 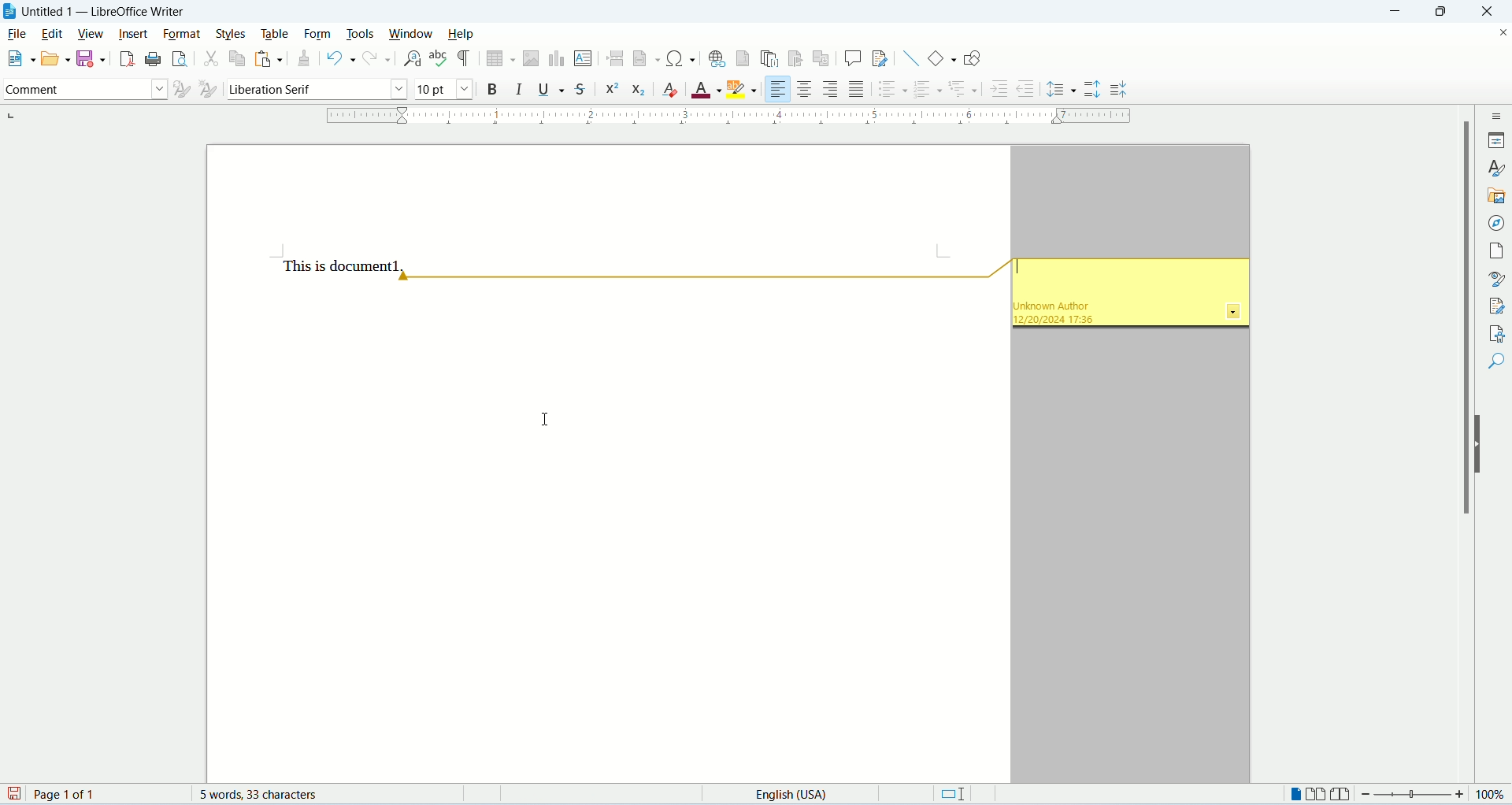 What do you see at coordinates (715, 58) in the screenshot?
I see `insert hyperlink` at bounding box center [715, 58].